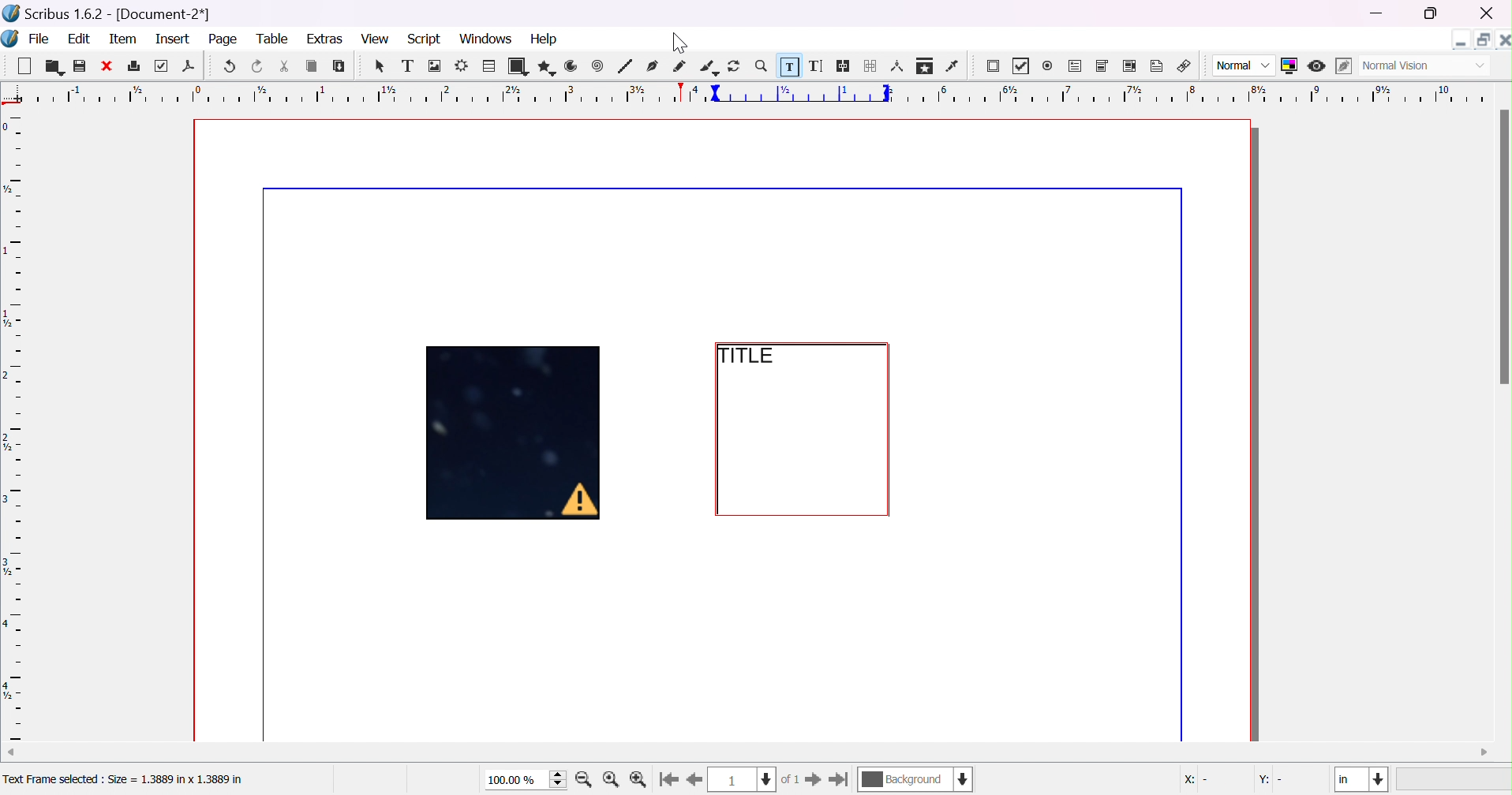 The width and height of the screenshot is (1512, 795). I want to click on go to last page, so click(840, 779).